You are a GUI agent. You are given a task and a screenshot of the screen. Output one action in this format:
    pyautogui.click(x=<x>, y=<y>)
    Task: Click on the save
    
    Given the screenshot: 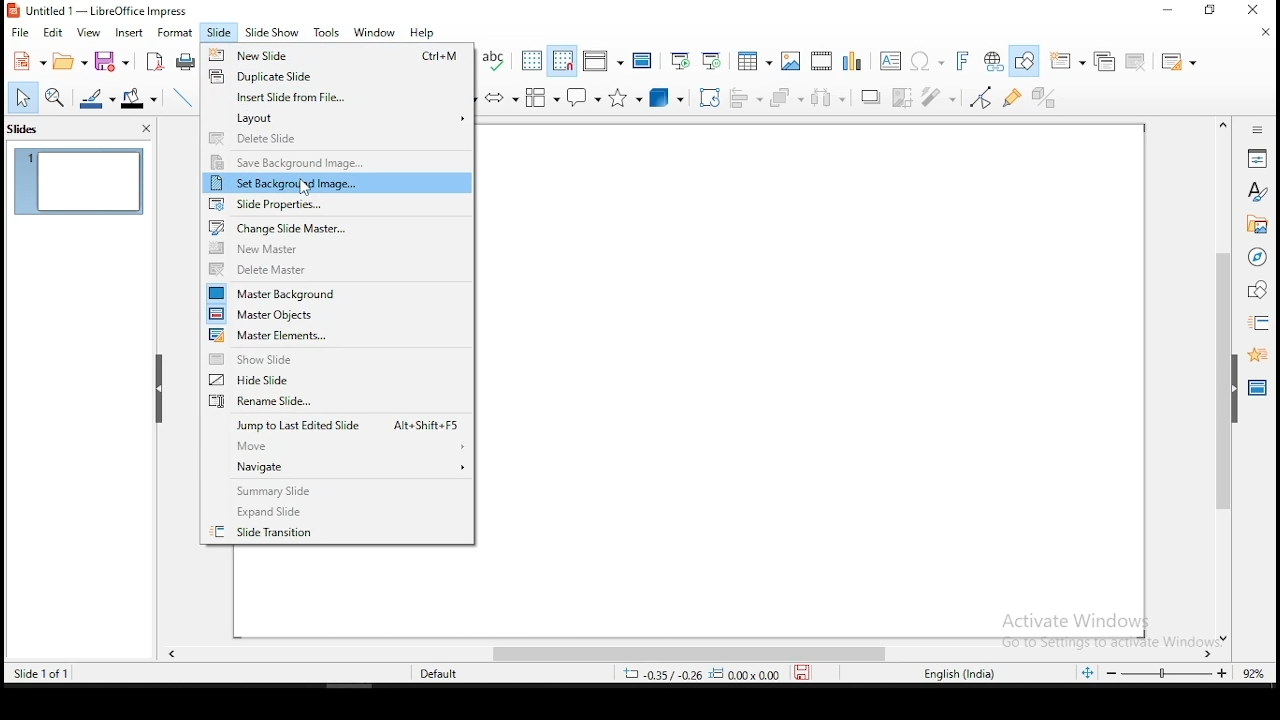 What is the action you would take?
    pyautogui.click(x=113, y=60)
    